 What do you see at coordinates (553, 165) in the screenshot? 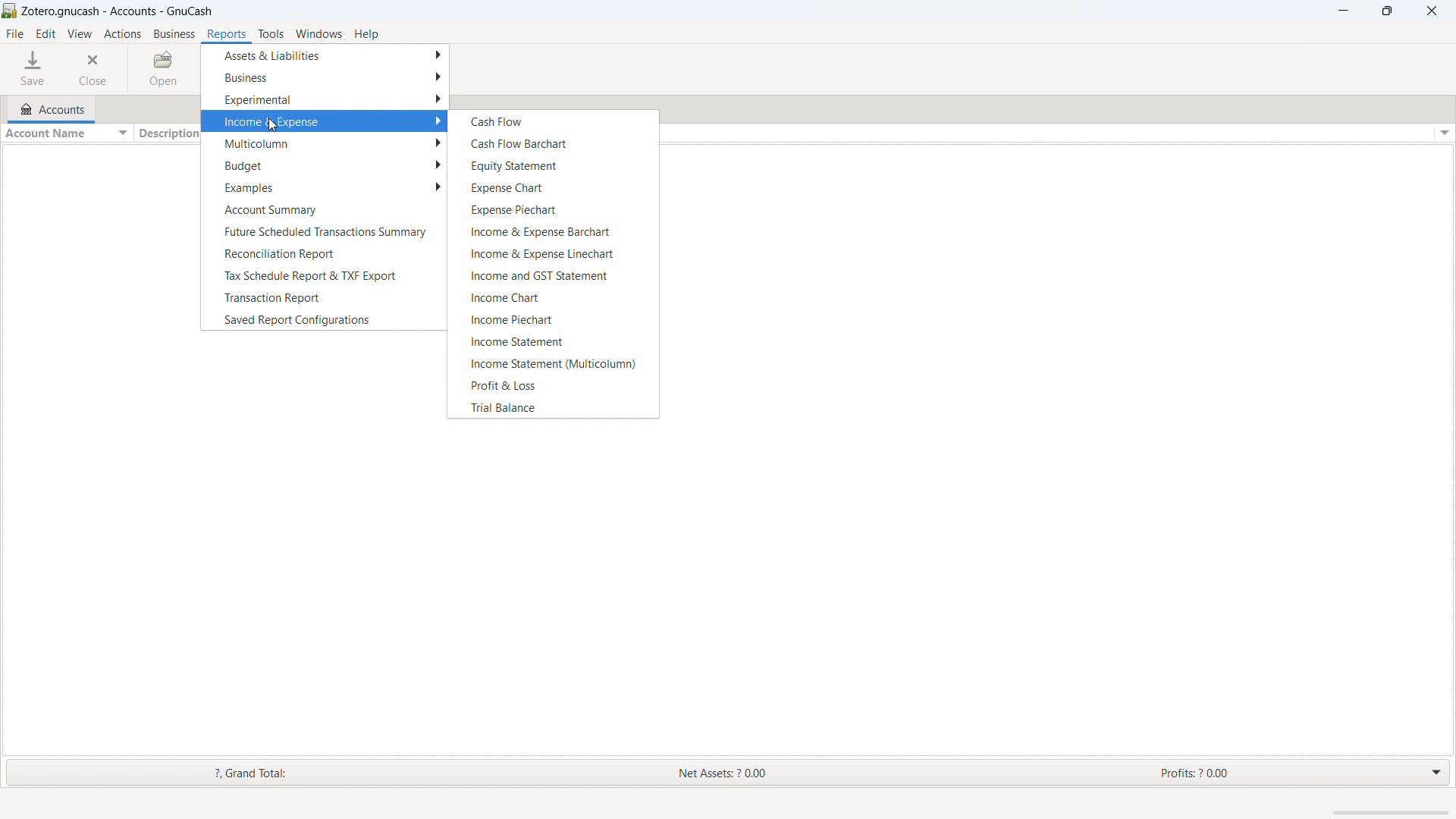
I see `equity statement` at bounding box center [553, 165].